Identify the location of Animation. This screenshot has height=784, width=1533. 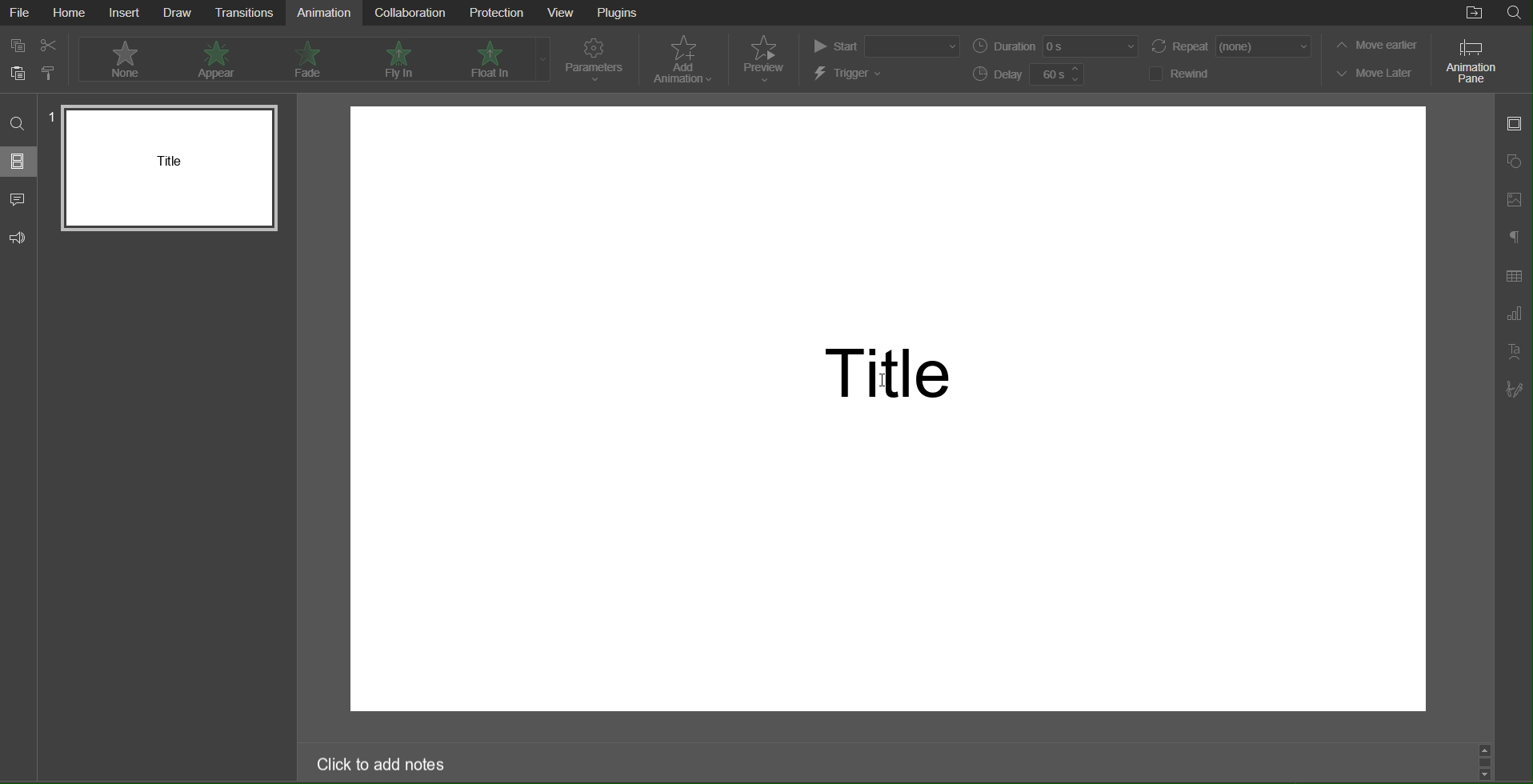
(324, 12).